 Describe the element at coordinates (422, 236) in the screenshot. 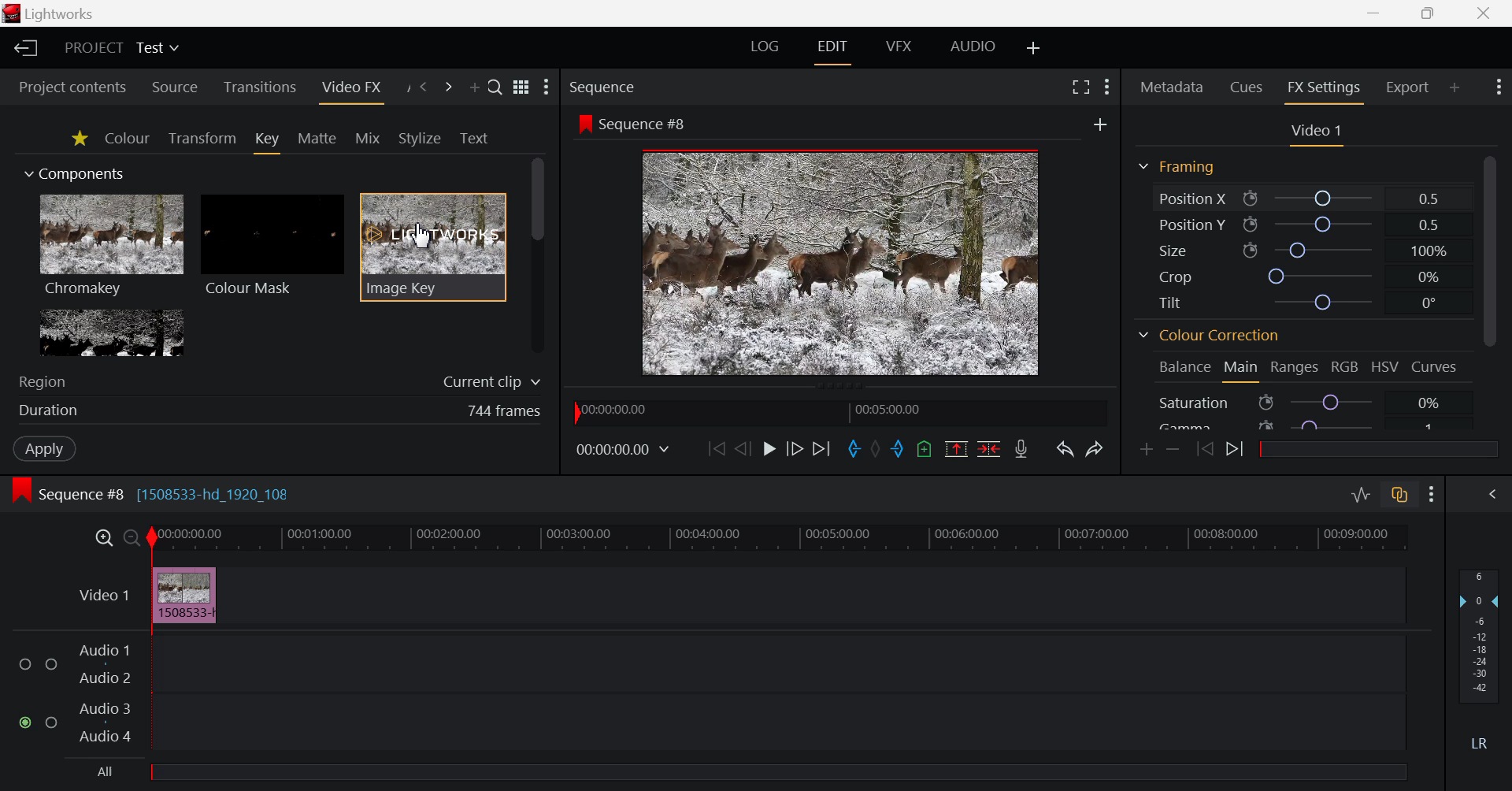

I see `Cursor Position` at that location.